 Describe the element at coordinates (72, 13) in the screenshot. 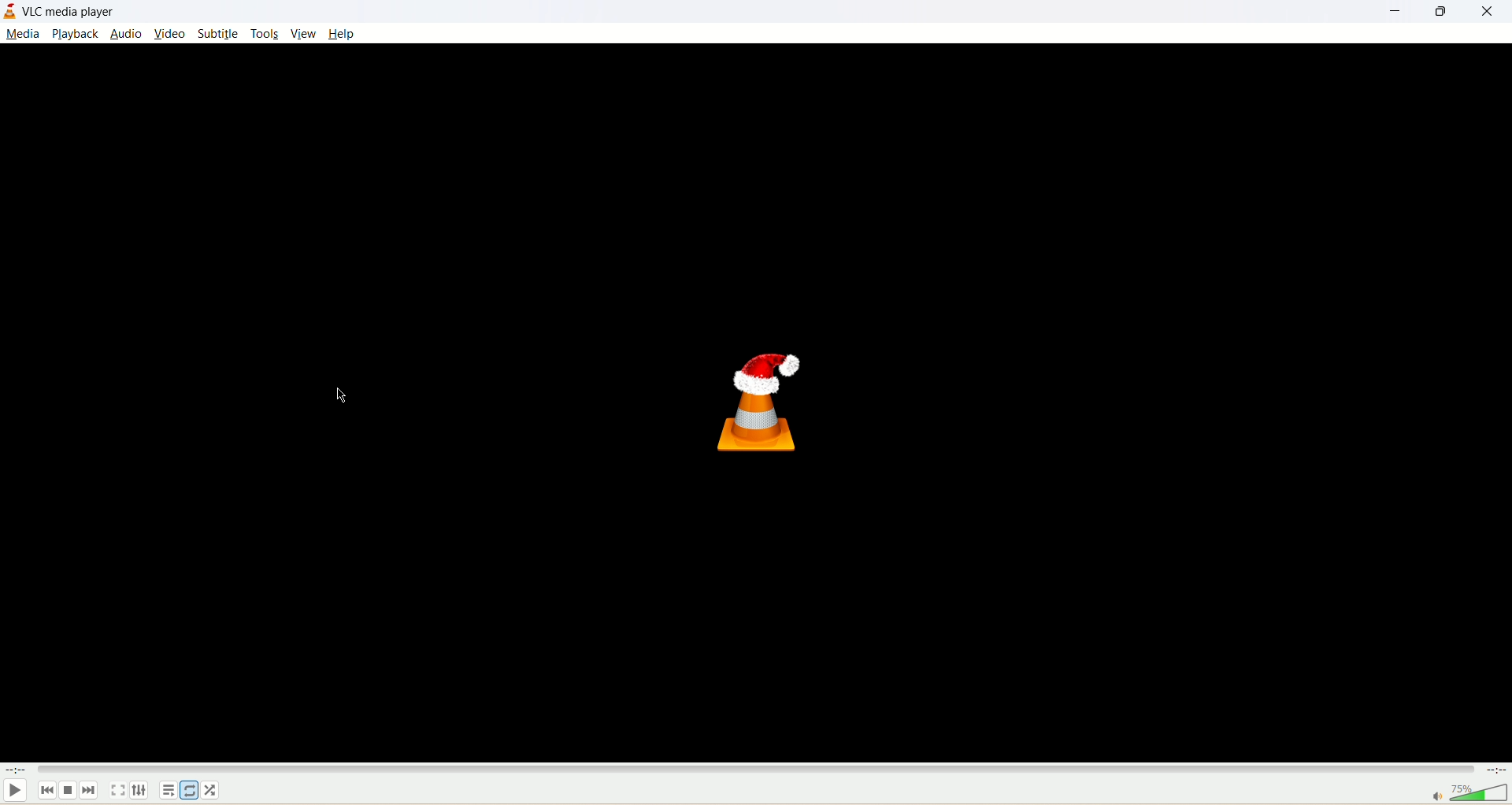

I see `VLC MEDIA PLAYER` at that location.